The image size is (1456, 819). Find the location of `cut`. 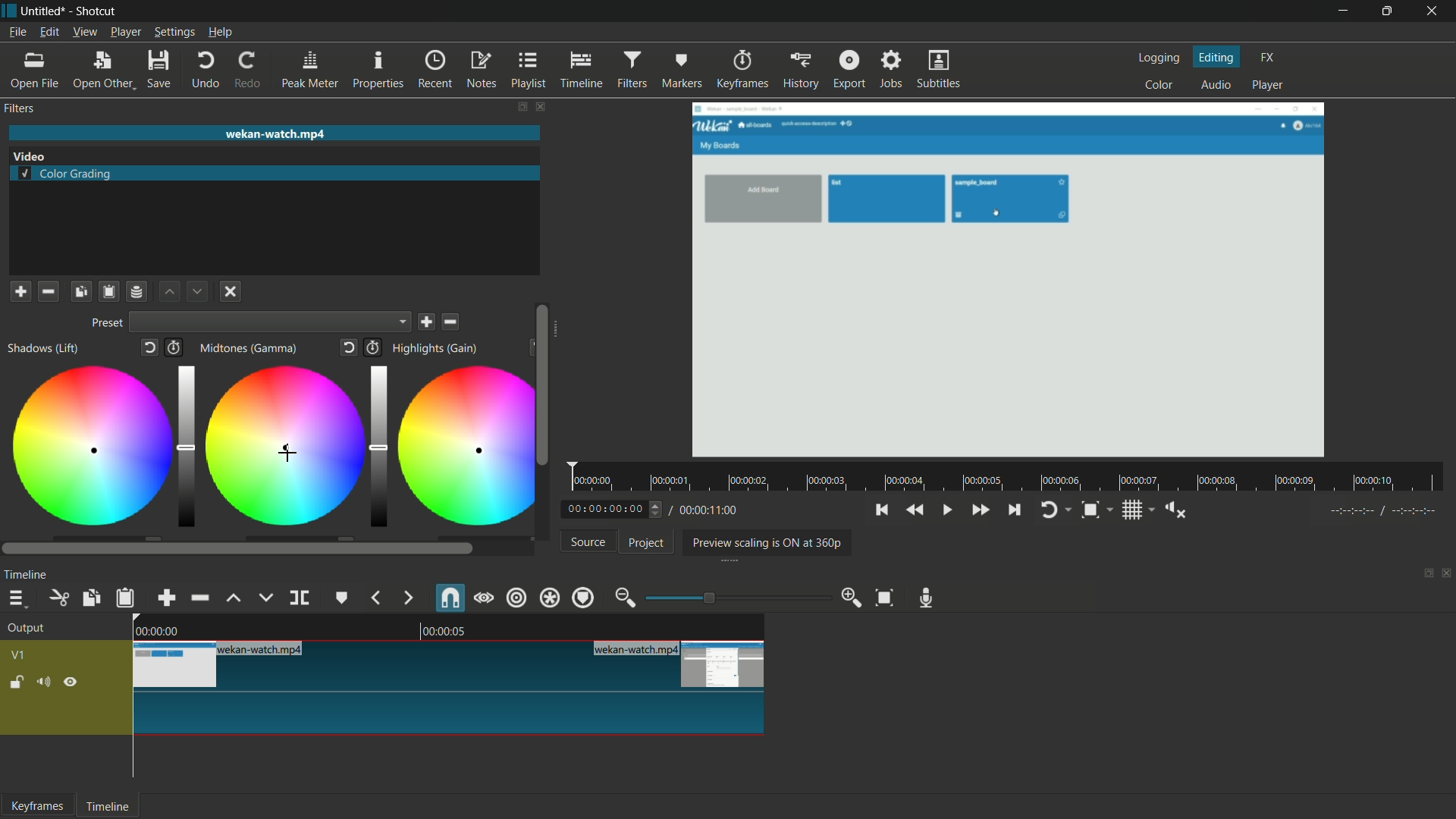

cut is located at coordinates (61, 598).